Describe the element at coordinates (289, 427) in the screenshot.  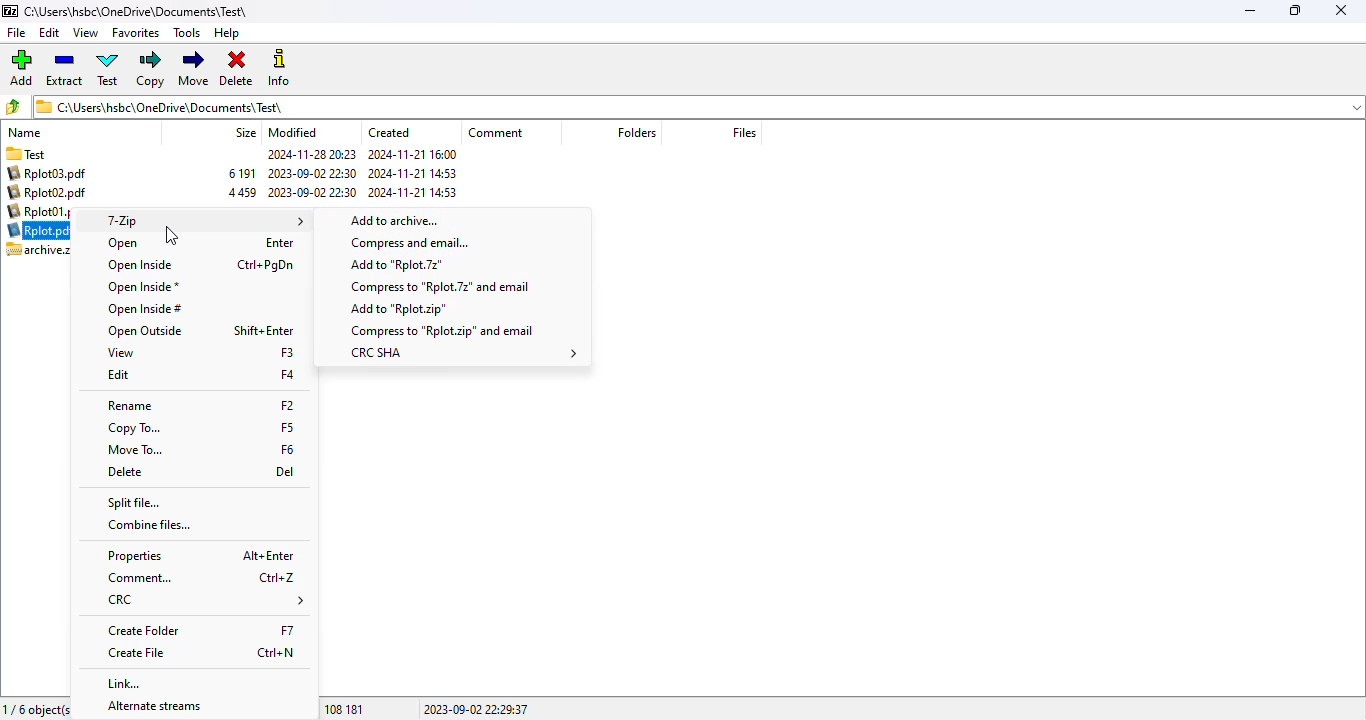
I see `shortcut for copy to` at that location.